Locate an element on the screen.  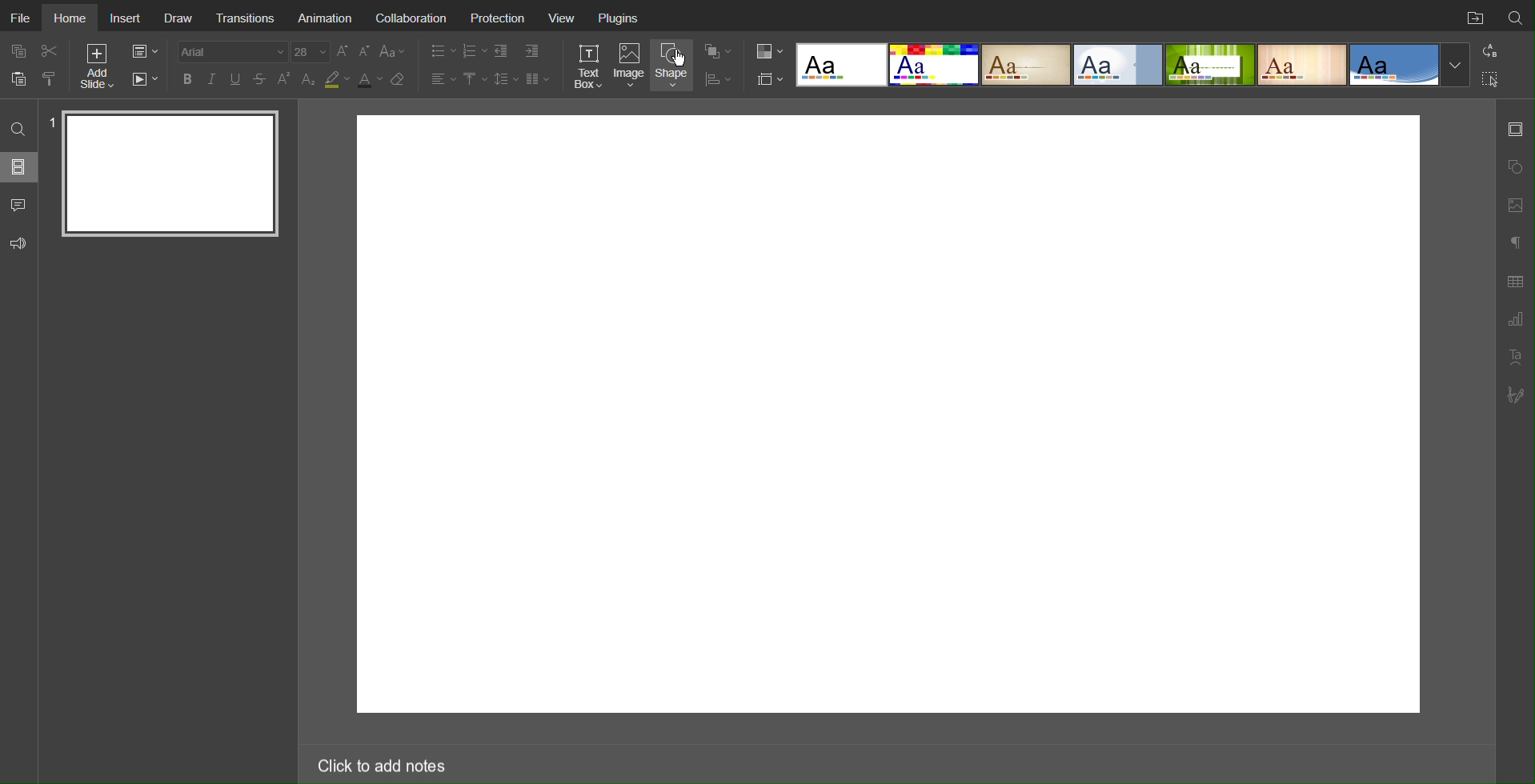
Cut is located at coordinates (51, 50).